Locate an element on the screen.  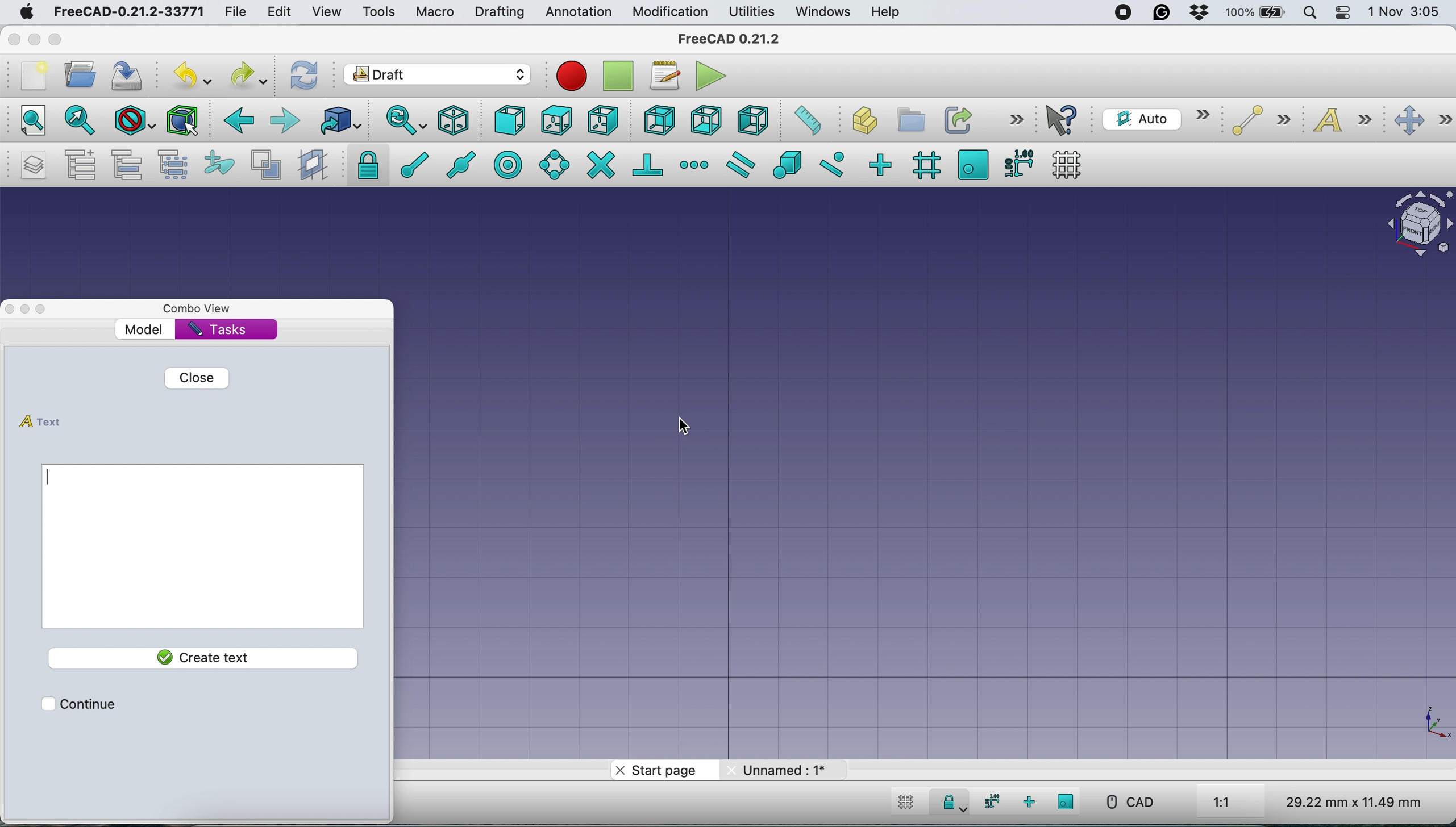
execute macros is located at coordinates (709, 77).